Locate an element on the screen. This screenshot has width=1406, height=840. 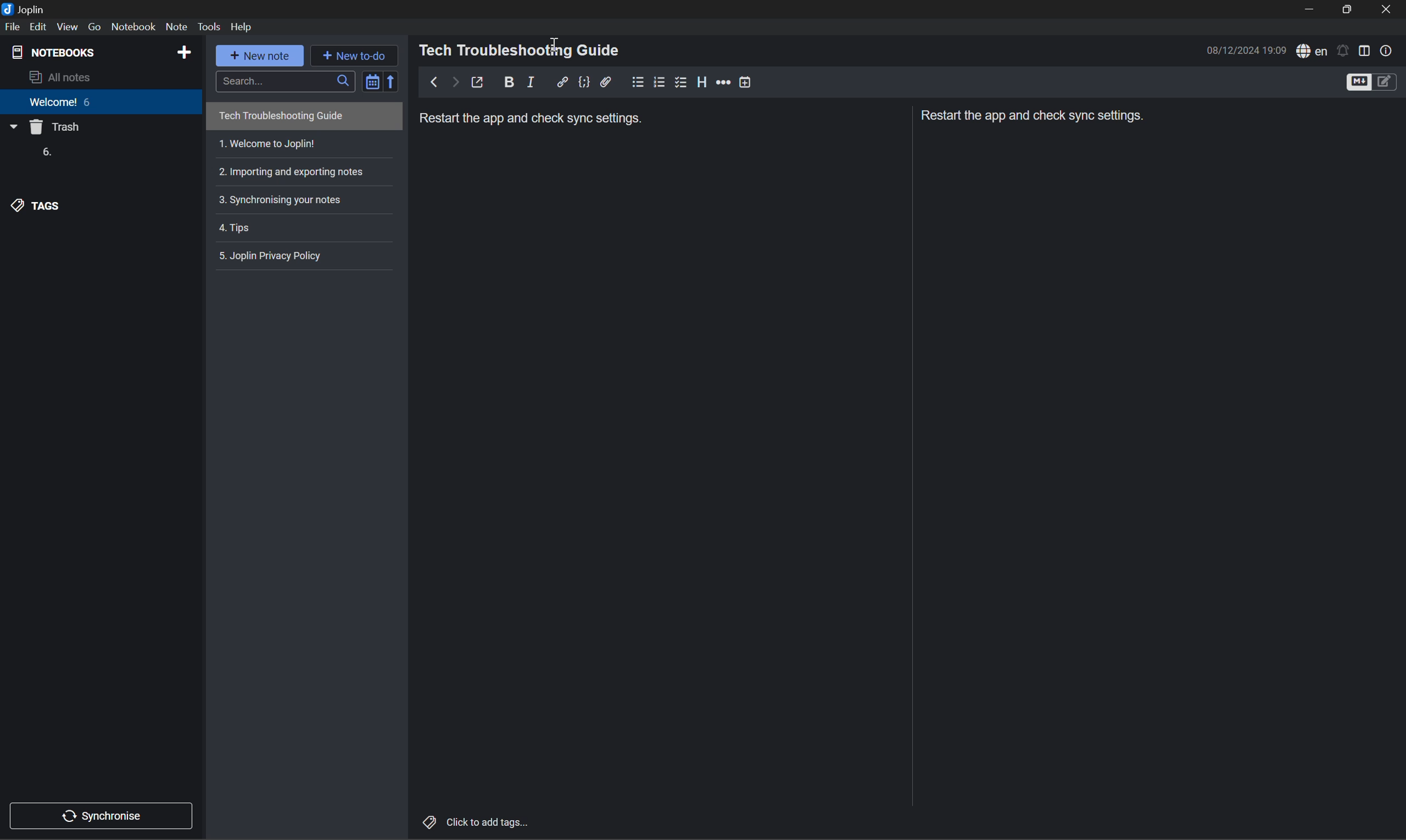
Restart the app and check sync settings is located at coordinates (1033, 118).